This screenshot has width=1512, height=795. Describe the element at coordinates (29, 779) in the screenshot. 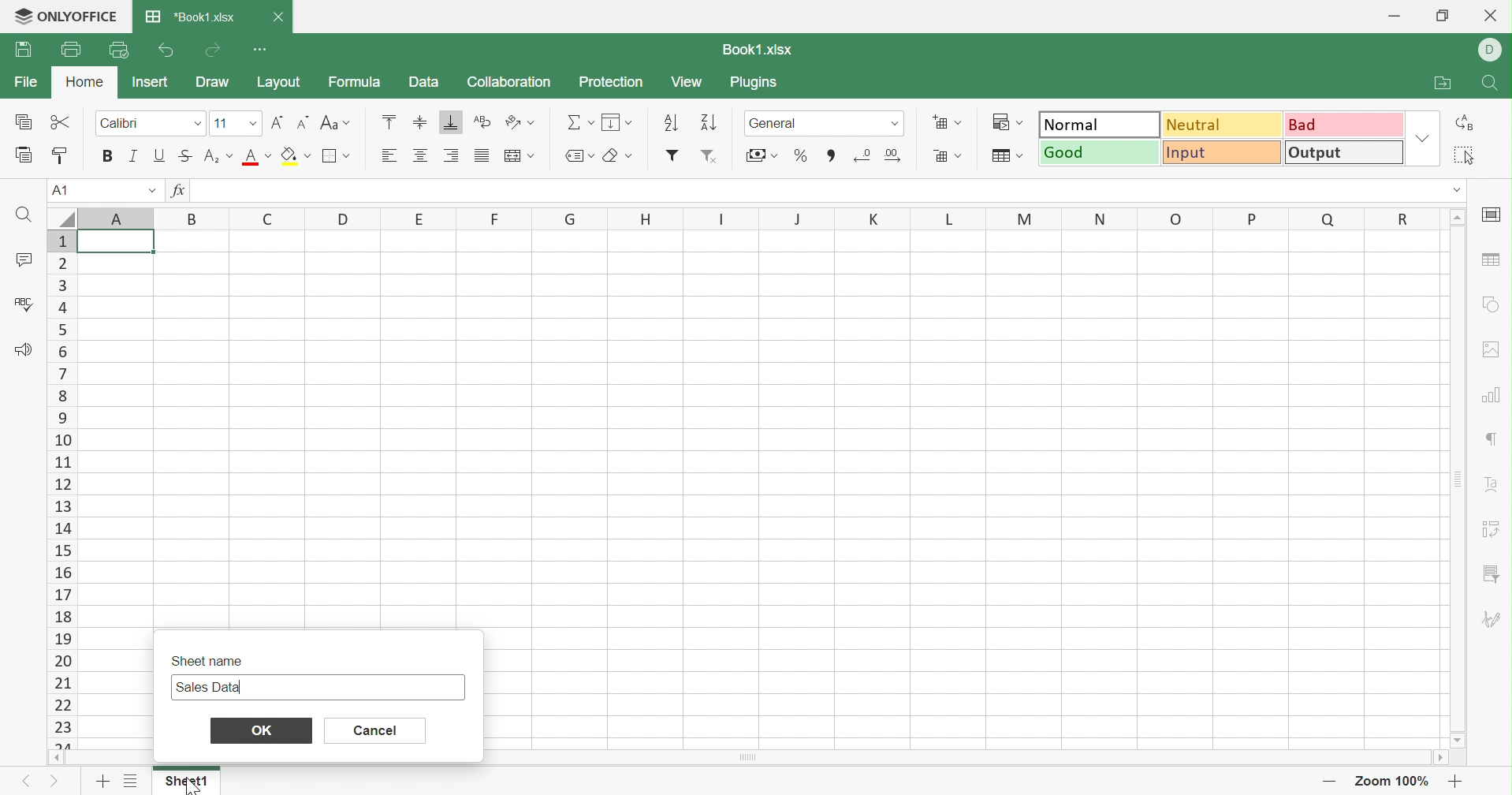

I see `Previous` at that location.